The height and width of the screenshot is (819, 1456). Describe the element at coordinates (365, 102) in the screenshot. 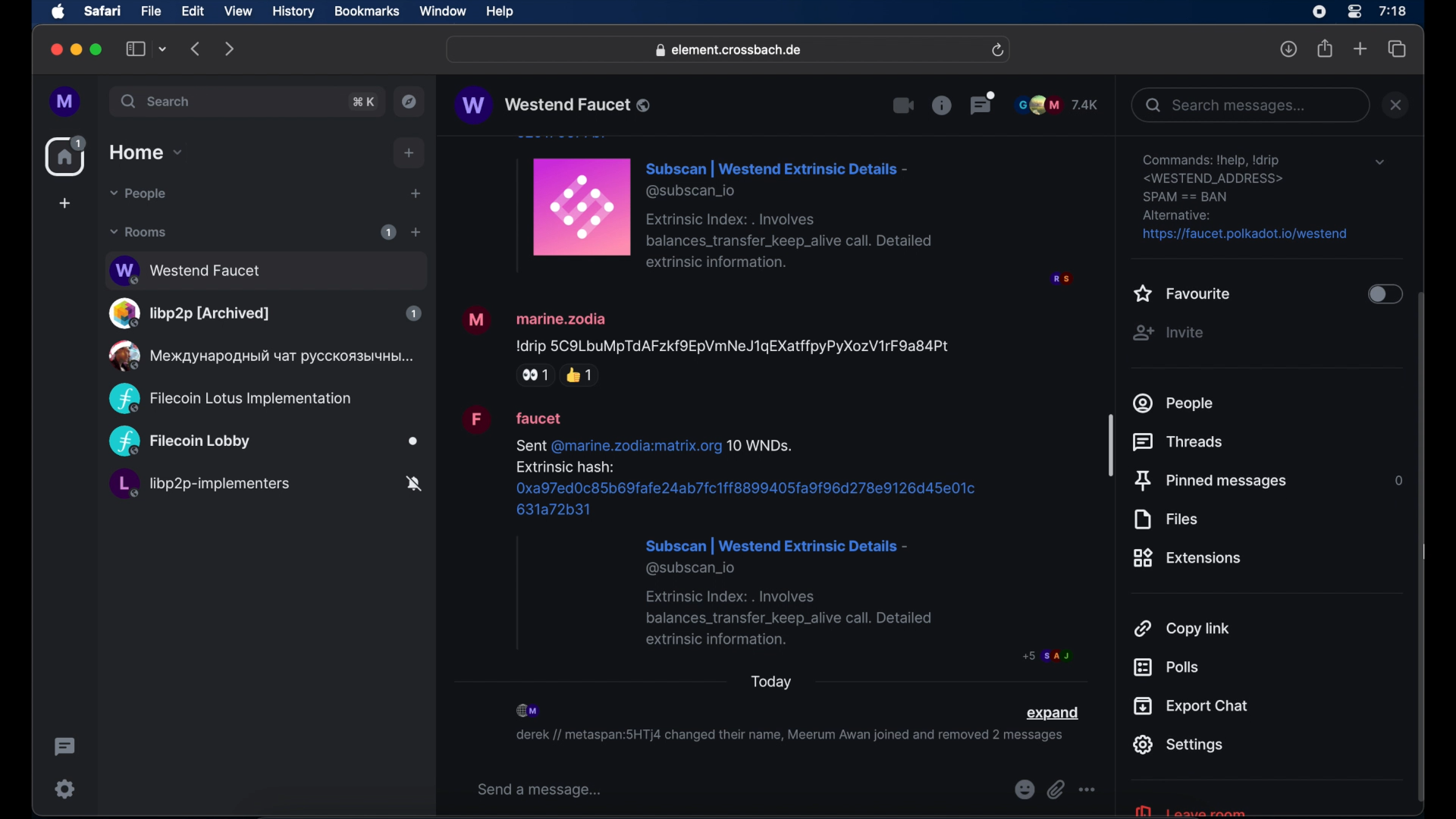

I see `search shortcut` at that location.